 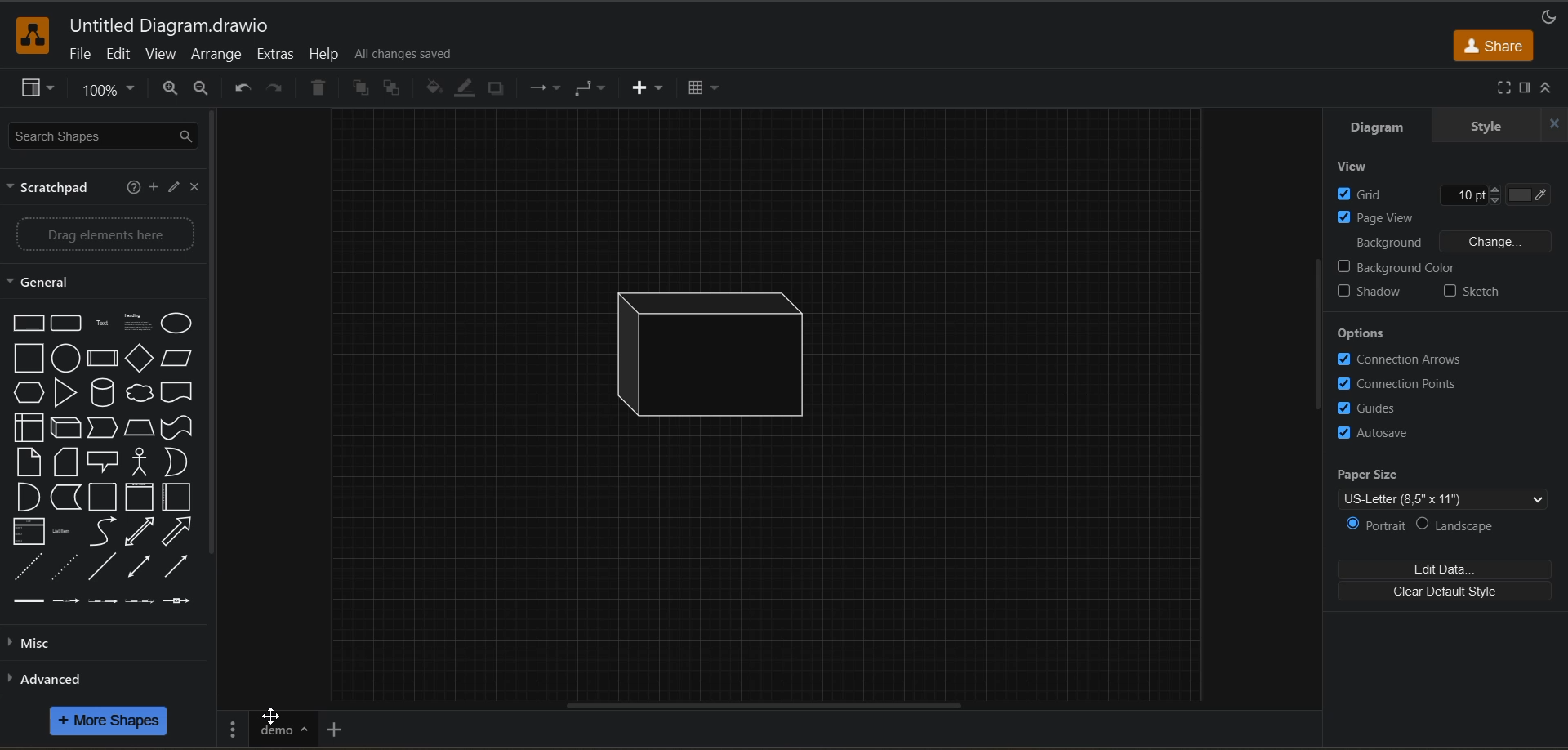 What do you see at coordinates (1497, 47) in the screenshot?
I see `share` at bounding box center [1497, 47].